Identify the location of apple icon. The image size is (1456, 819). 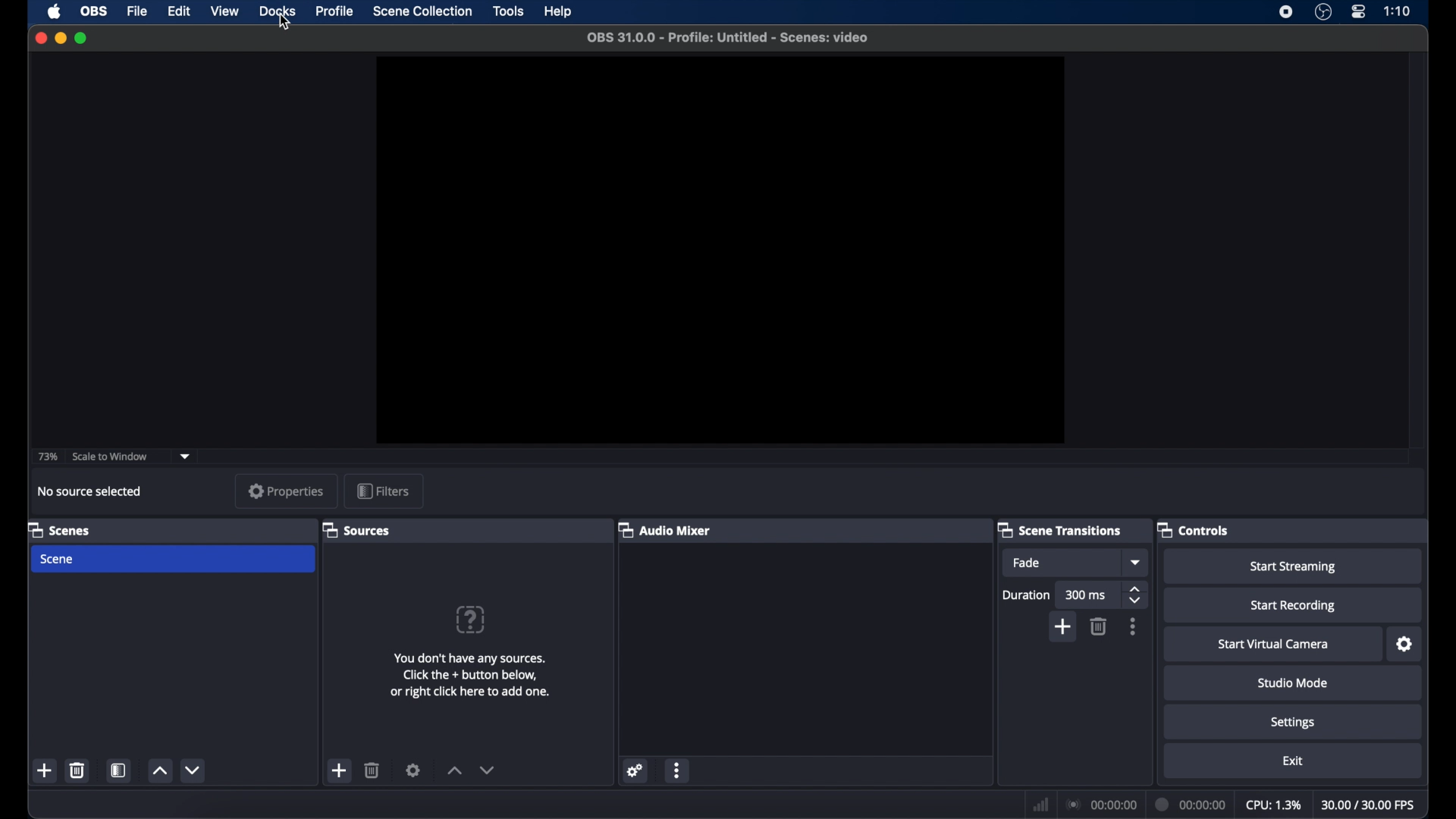
(54, 11).